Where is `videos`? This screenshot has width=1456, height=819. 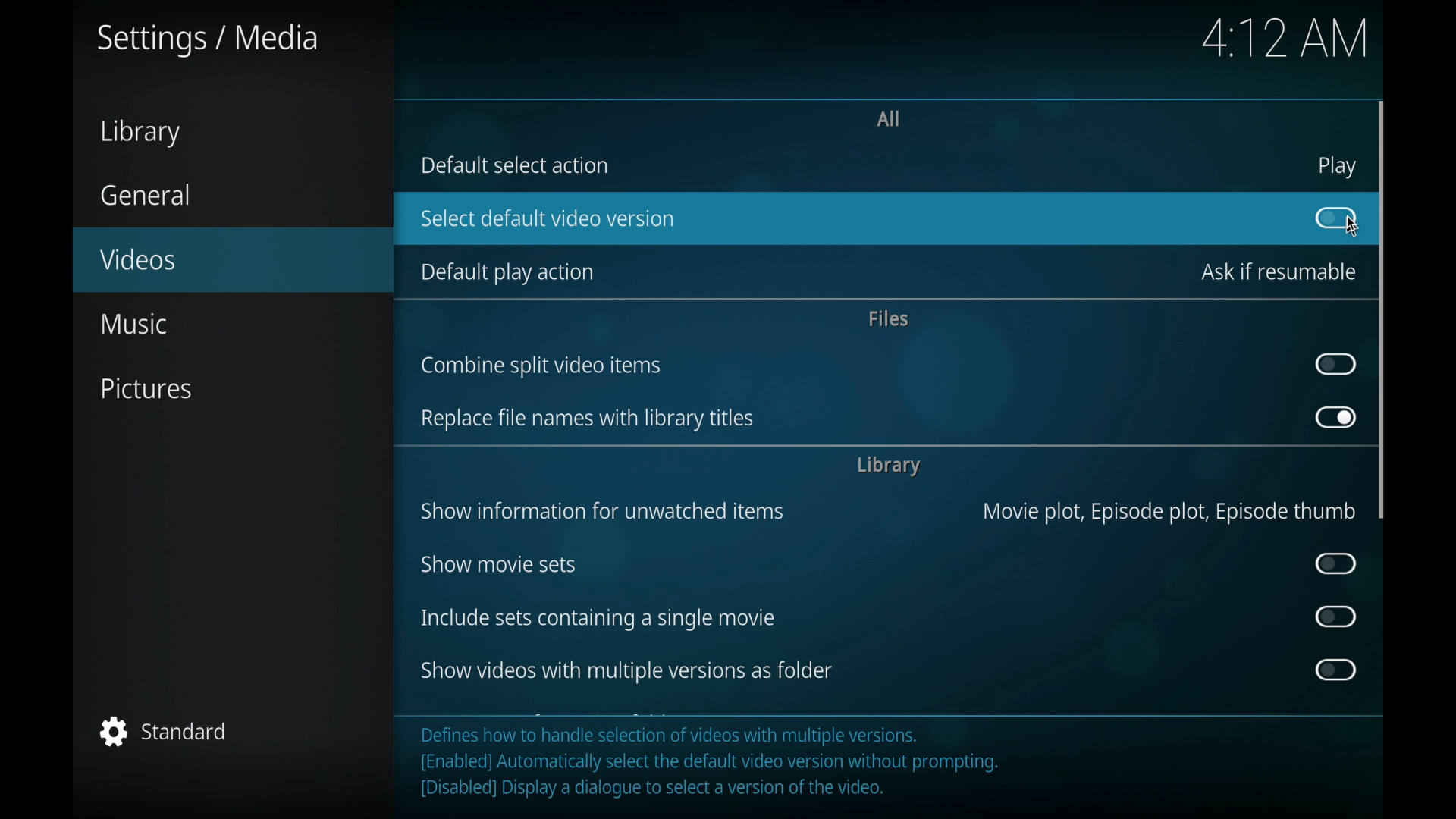 videos is located at coordinates (231, 259).